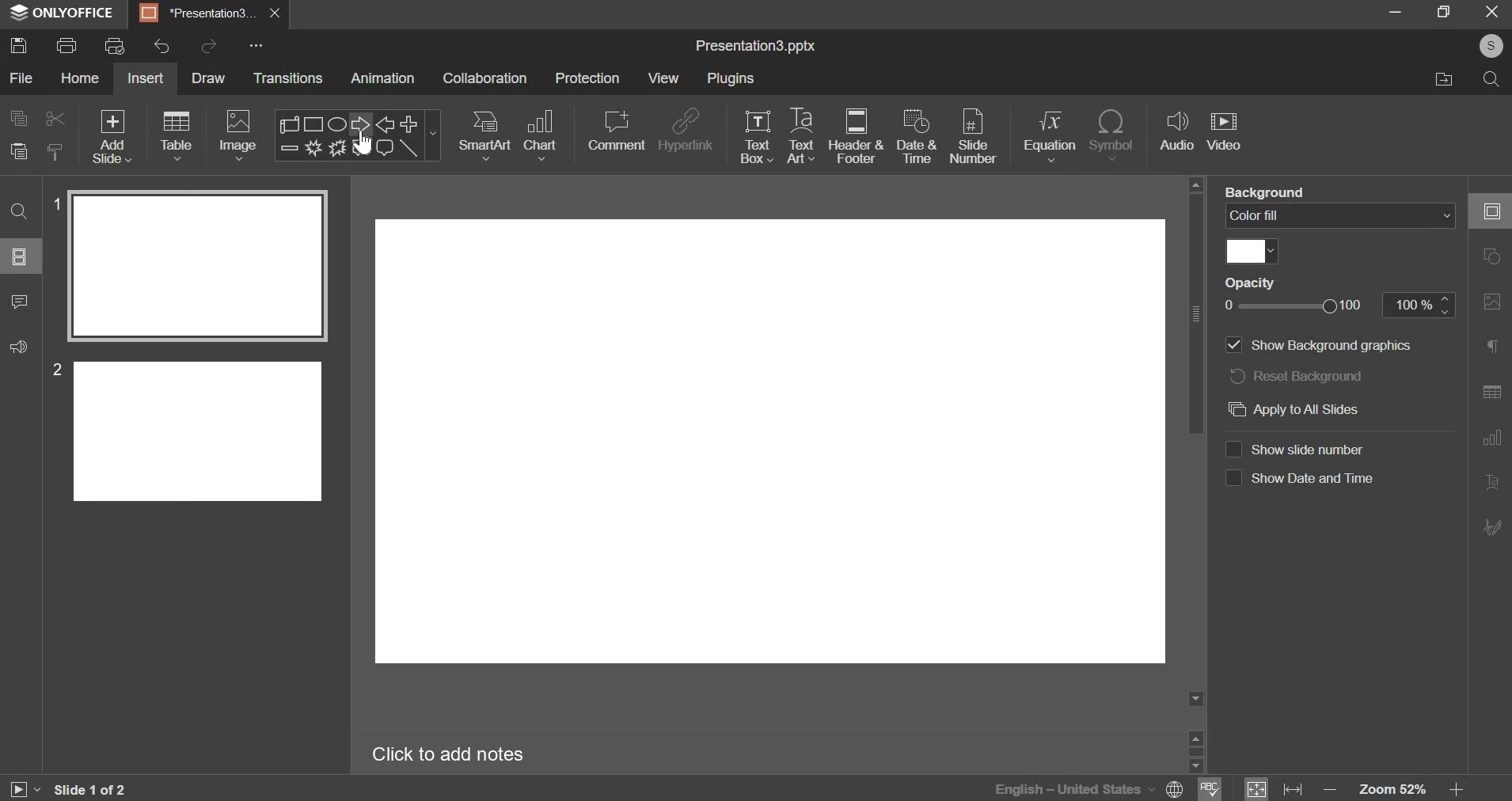  I want to click on active slide out of total slides, so click(90, 789).